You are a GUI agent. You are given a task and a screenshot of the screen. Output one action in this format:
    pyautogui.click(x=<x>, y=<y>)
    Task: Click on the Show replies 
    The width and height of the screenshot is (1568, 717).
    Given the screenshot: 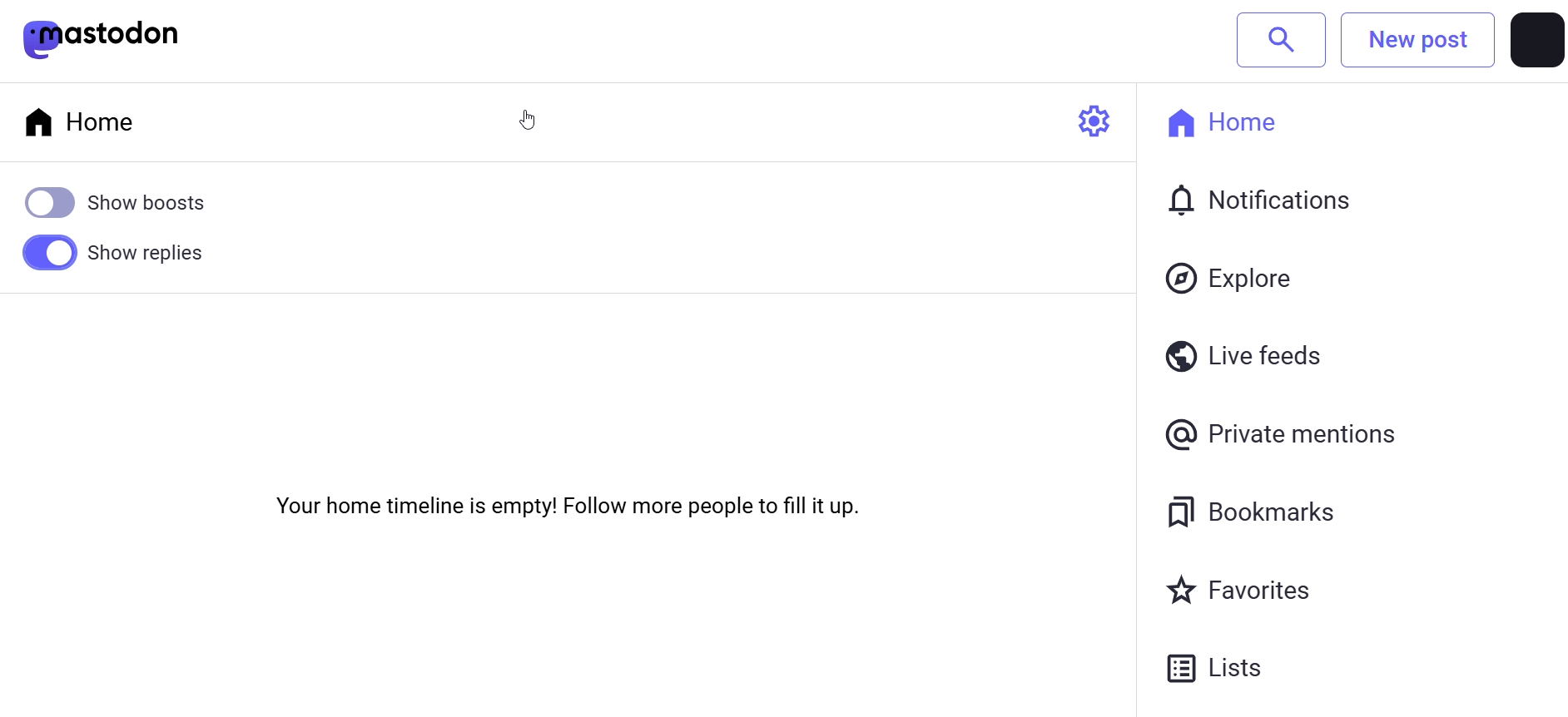 What is the action you would take?
    pyautogui.click(x=160, y=253)
    